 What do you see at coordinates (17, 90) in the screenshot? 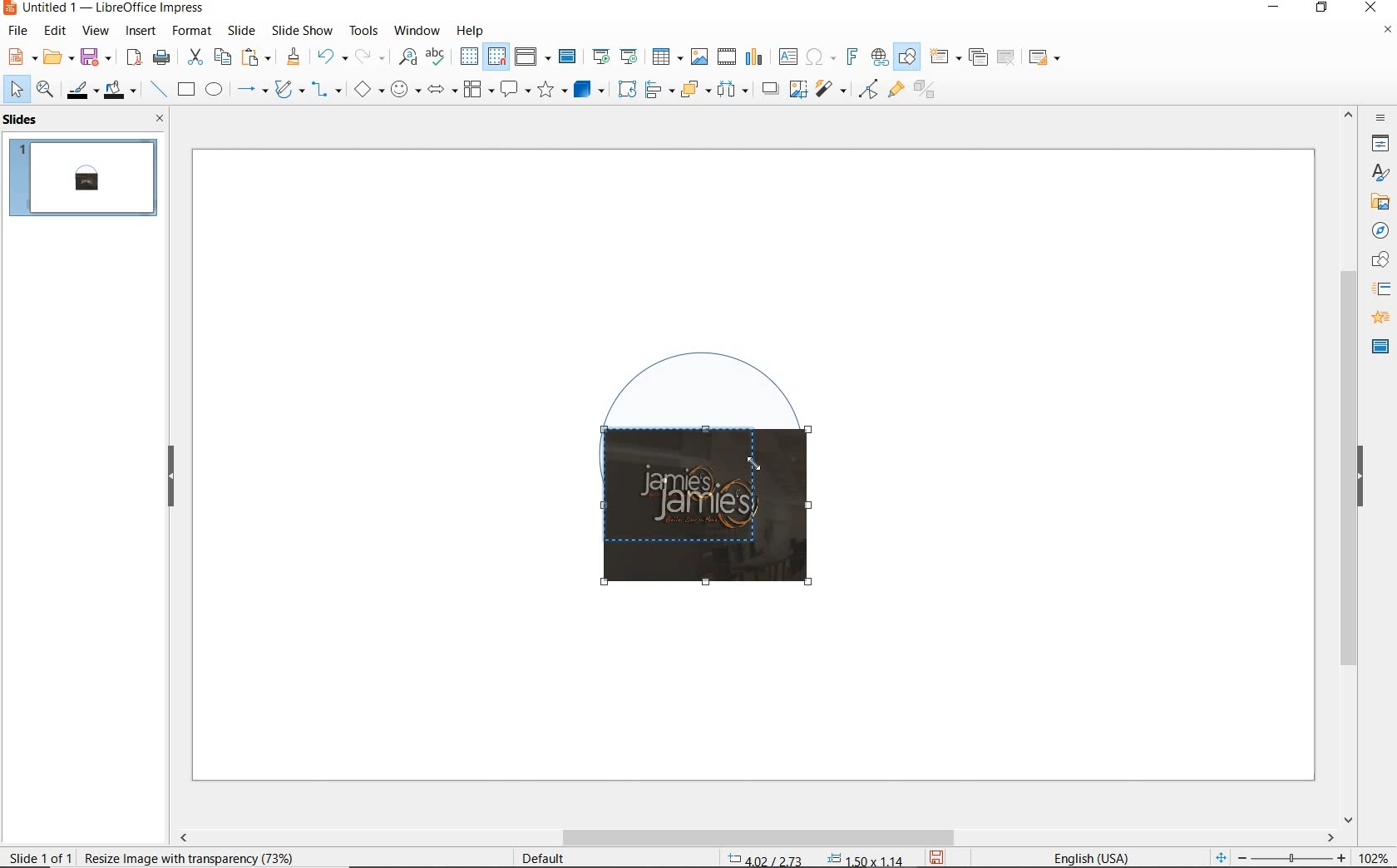
I see `select` at bounding box center [17, 90].